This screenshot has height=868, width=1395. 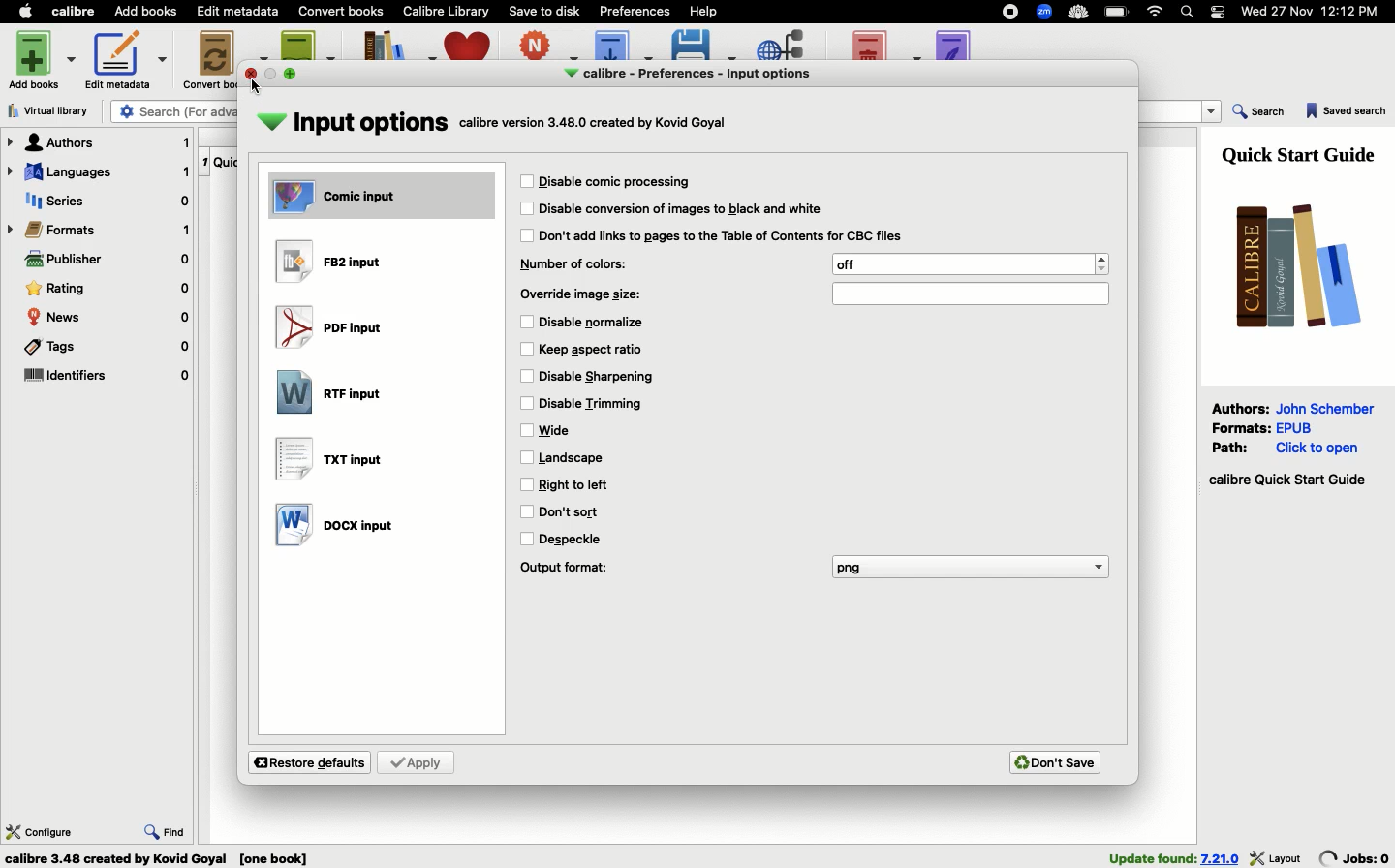 What do you see at coordinates (545, 10) in the screenshot?
I see `Save to disk` at bounding box center [545, 10].